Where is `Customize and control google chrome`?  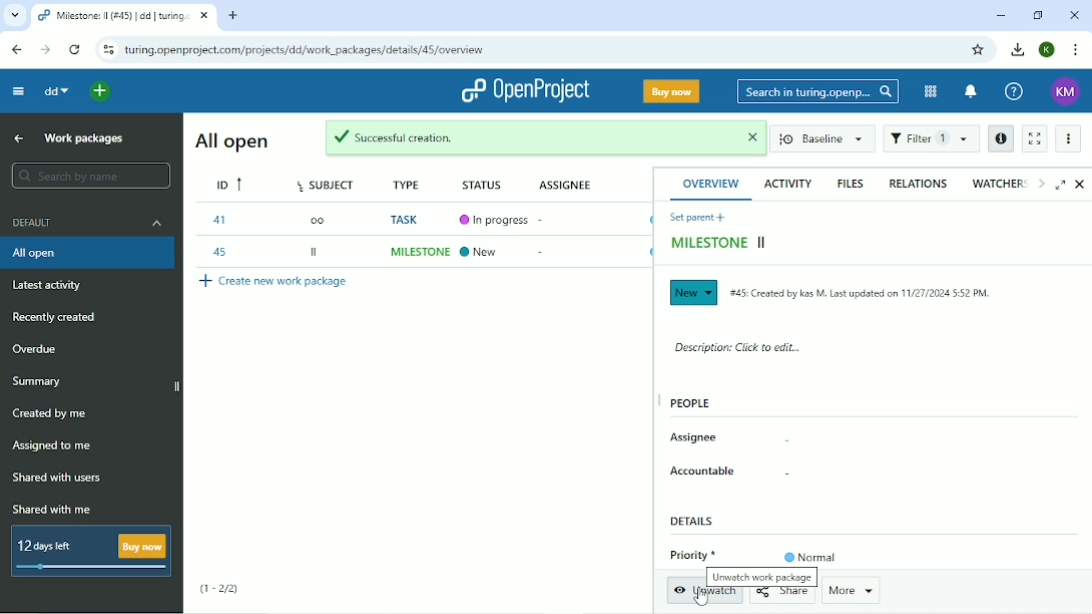 Customize and control google chrome is located at coordinates (1076, 50).